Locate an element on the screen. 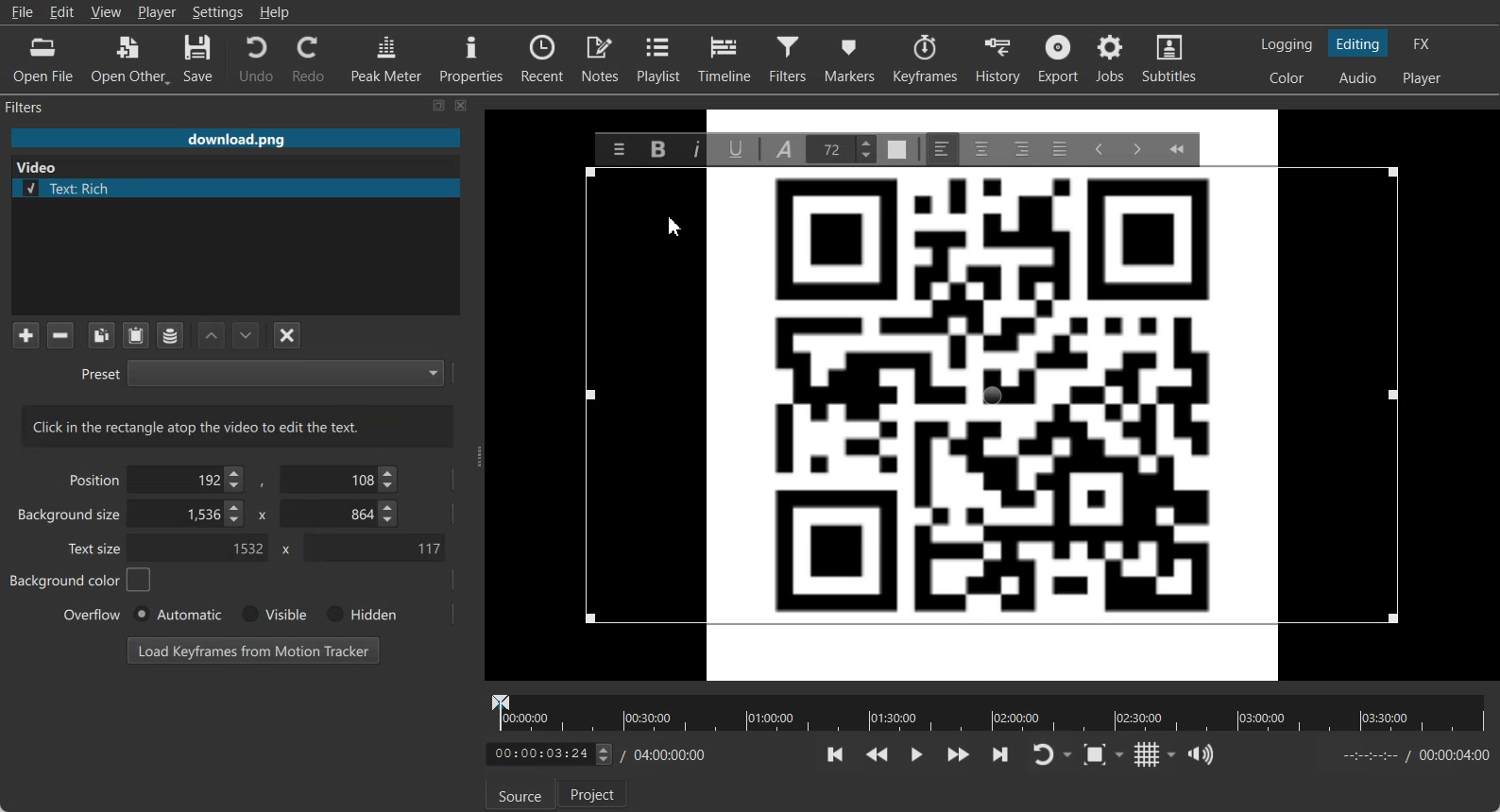 The image size is (1500, 812). Open Other is located at coordinates (130, 59).